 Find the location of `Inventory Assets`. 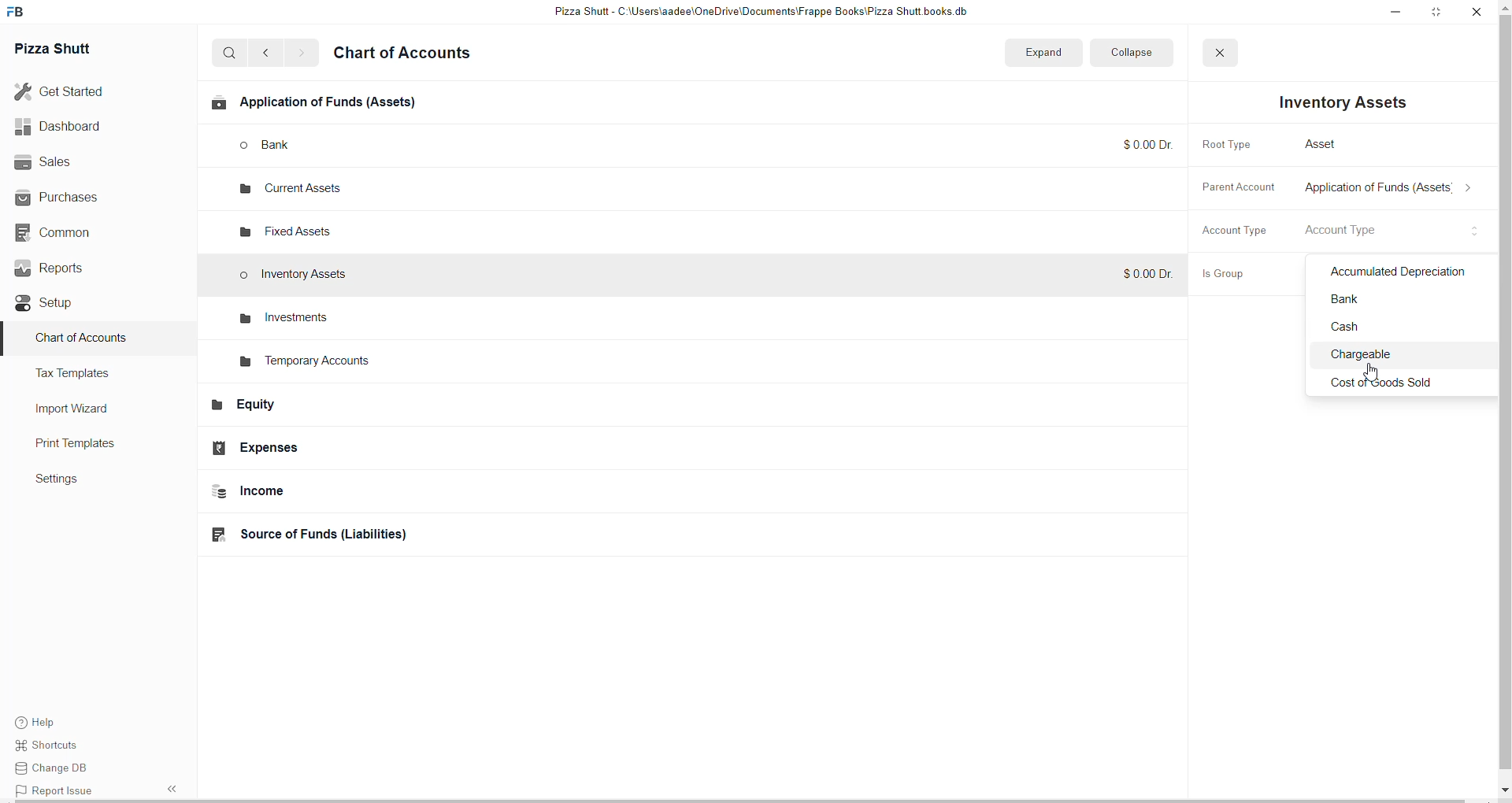

Inventory Assets is located at coordinates (300, 276).